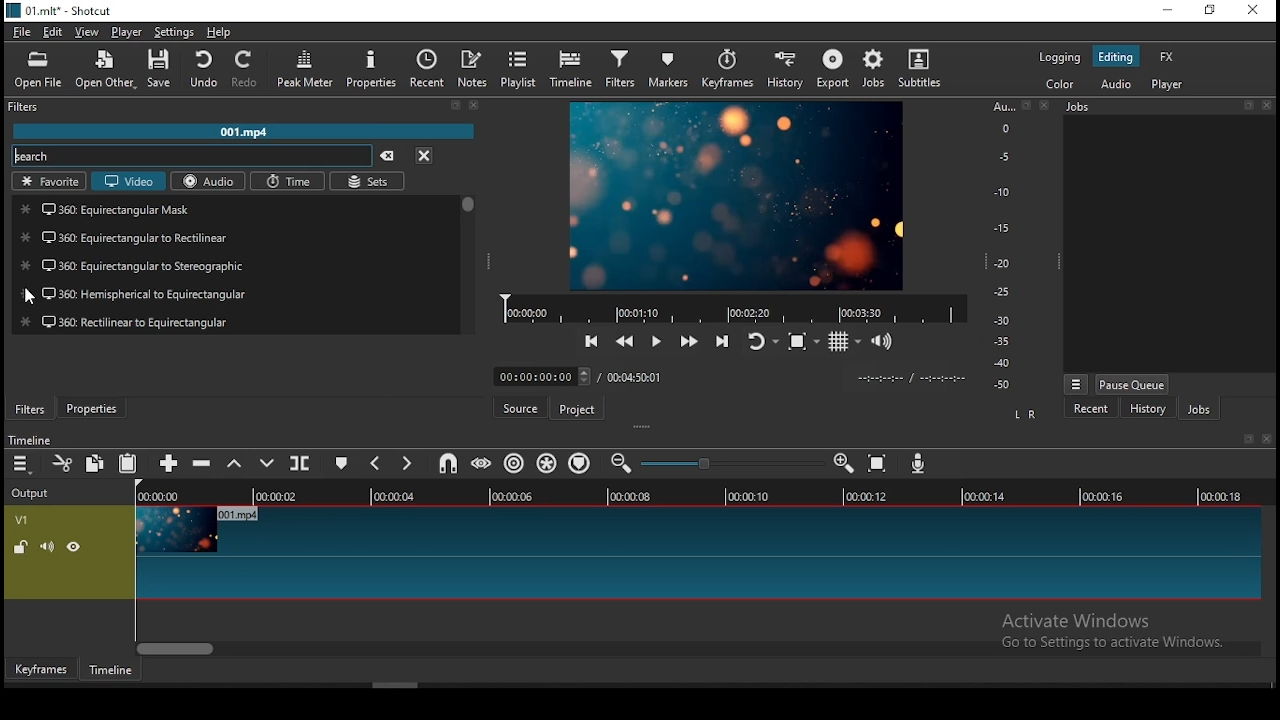  What do you see at coordinates (92, 409) in the screenshot?
I see `properties` at bounding box center [92, 409].